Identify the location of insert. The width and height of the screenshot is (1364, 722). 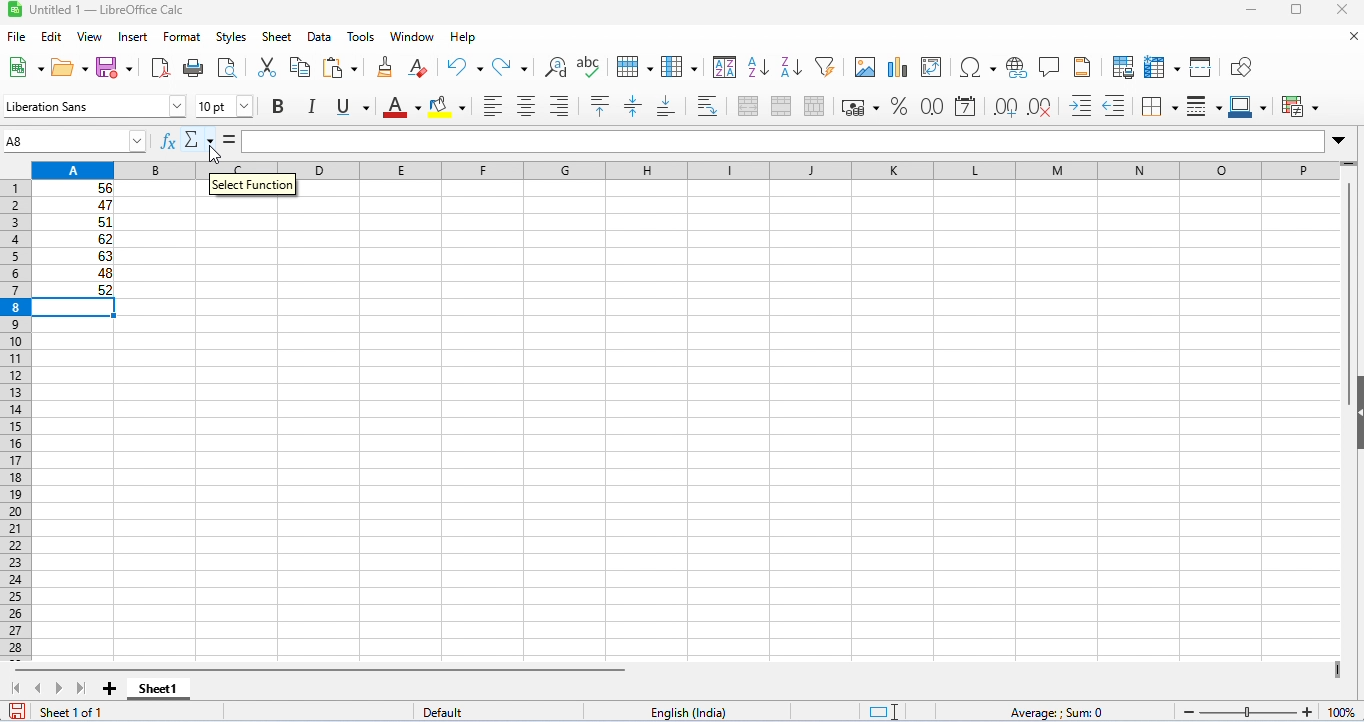
(136, 36).